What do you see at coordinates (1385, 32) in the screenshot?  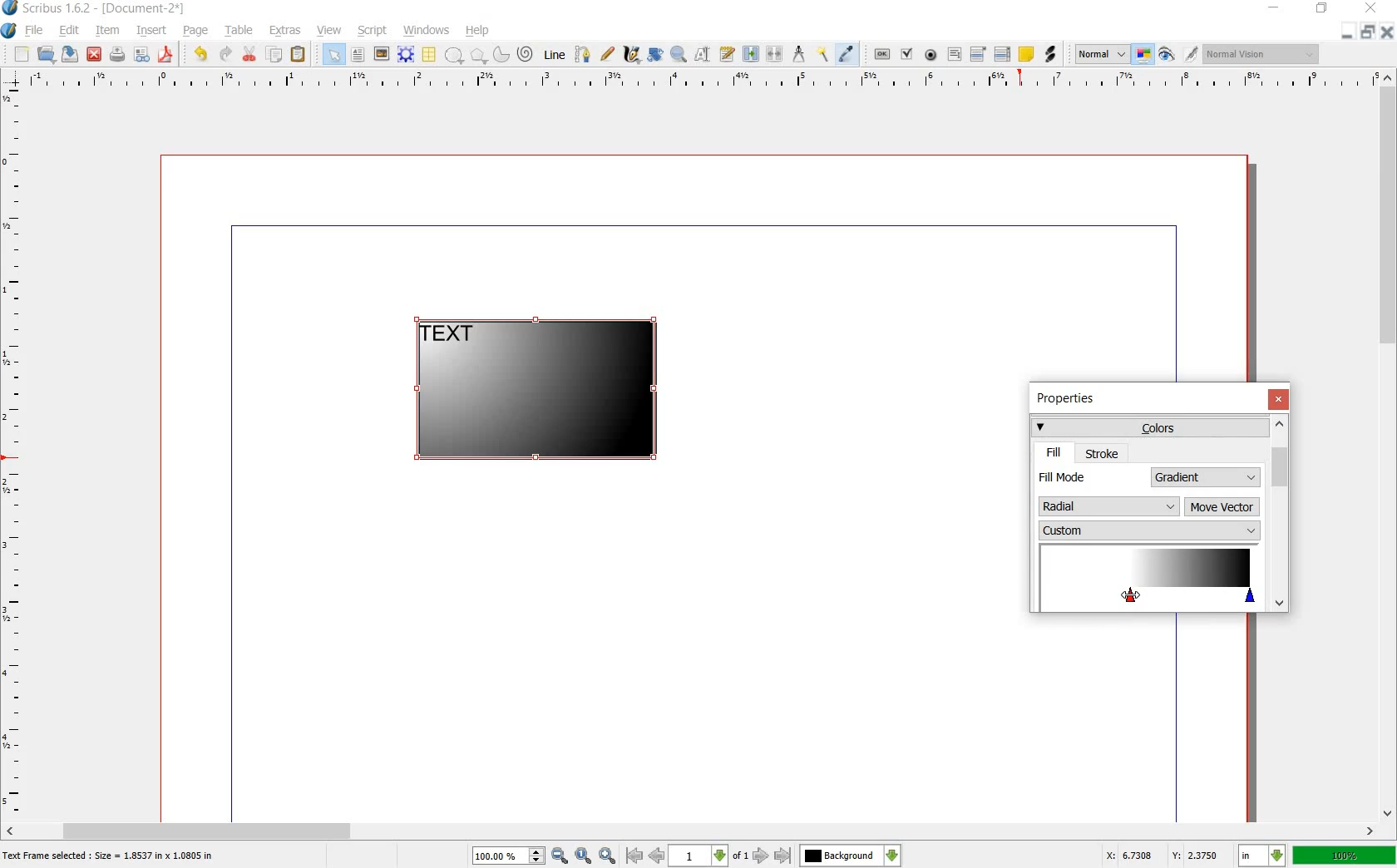 I see `close` at bounding box center [1385, 32].